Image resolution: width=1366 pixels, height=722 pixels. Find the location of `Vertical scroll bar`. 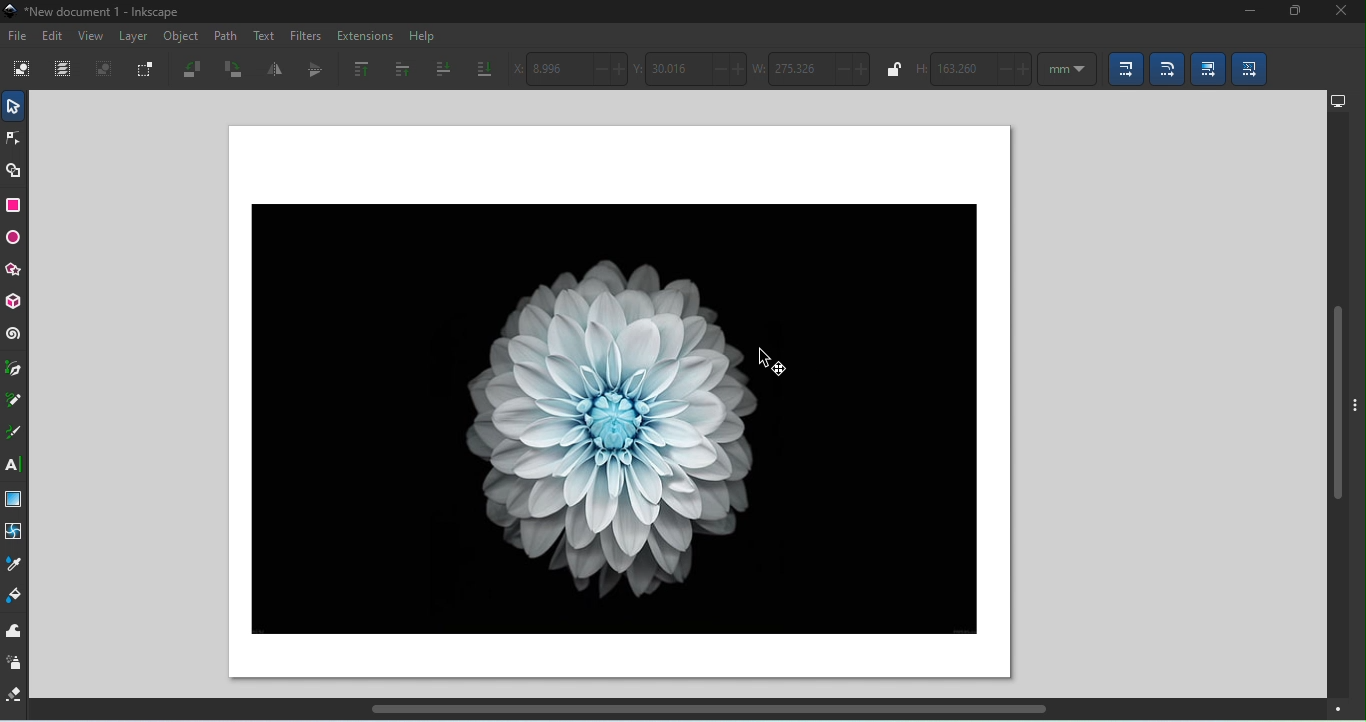

Vertical scroll bar is located at coordinates (1334, 406).